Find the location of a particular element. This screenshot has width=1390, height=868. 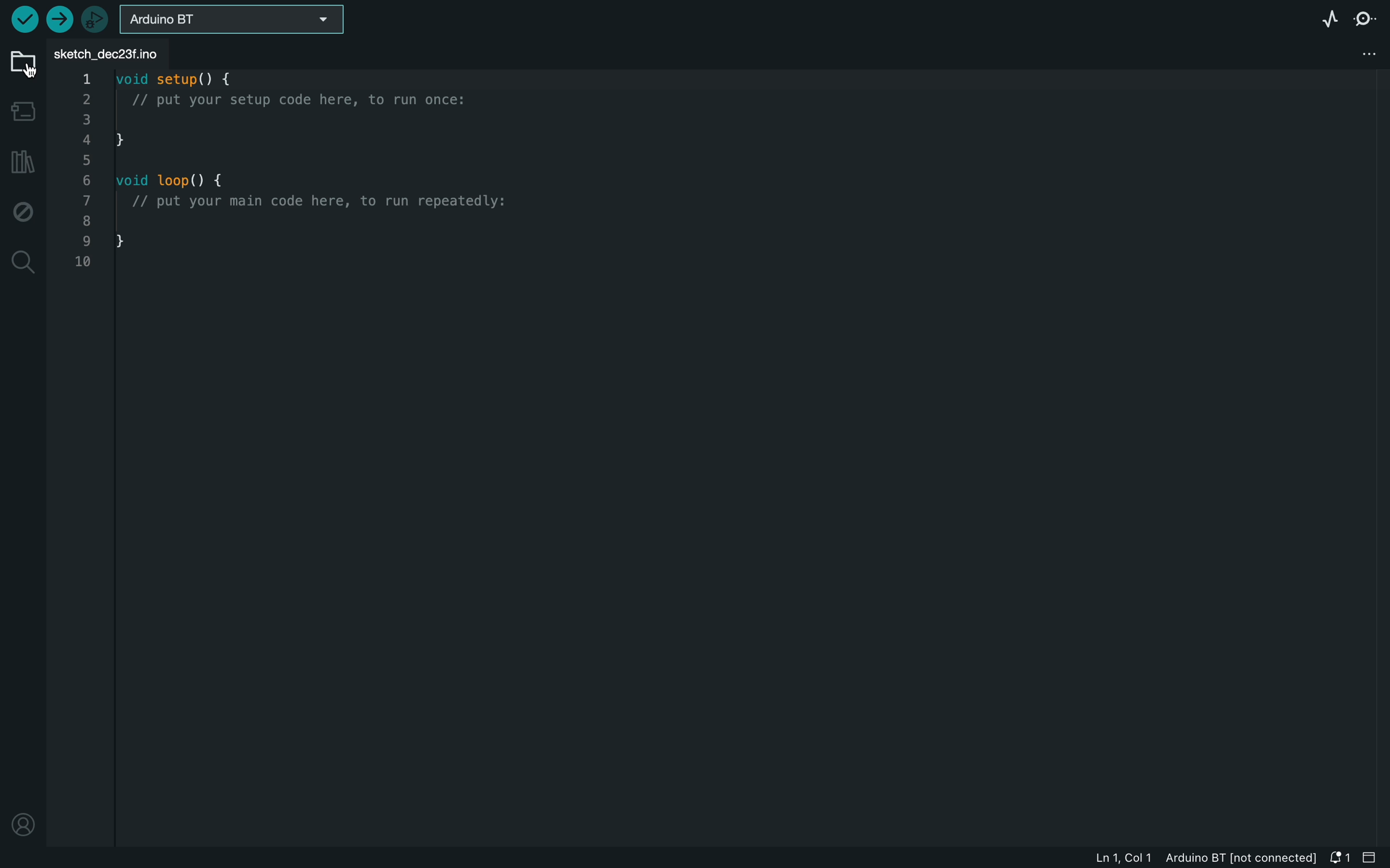

verify is located at coordinates (23, 18).